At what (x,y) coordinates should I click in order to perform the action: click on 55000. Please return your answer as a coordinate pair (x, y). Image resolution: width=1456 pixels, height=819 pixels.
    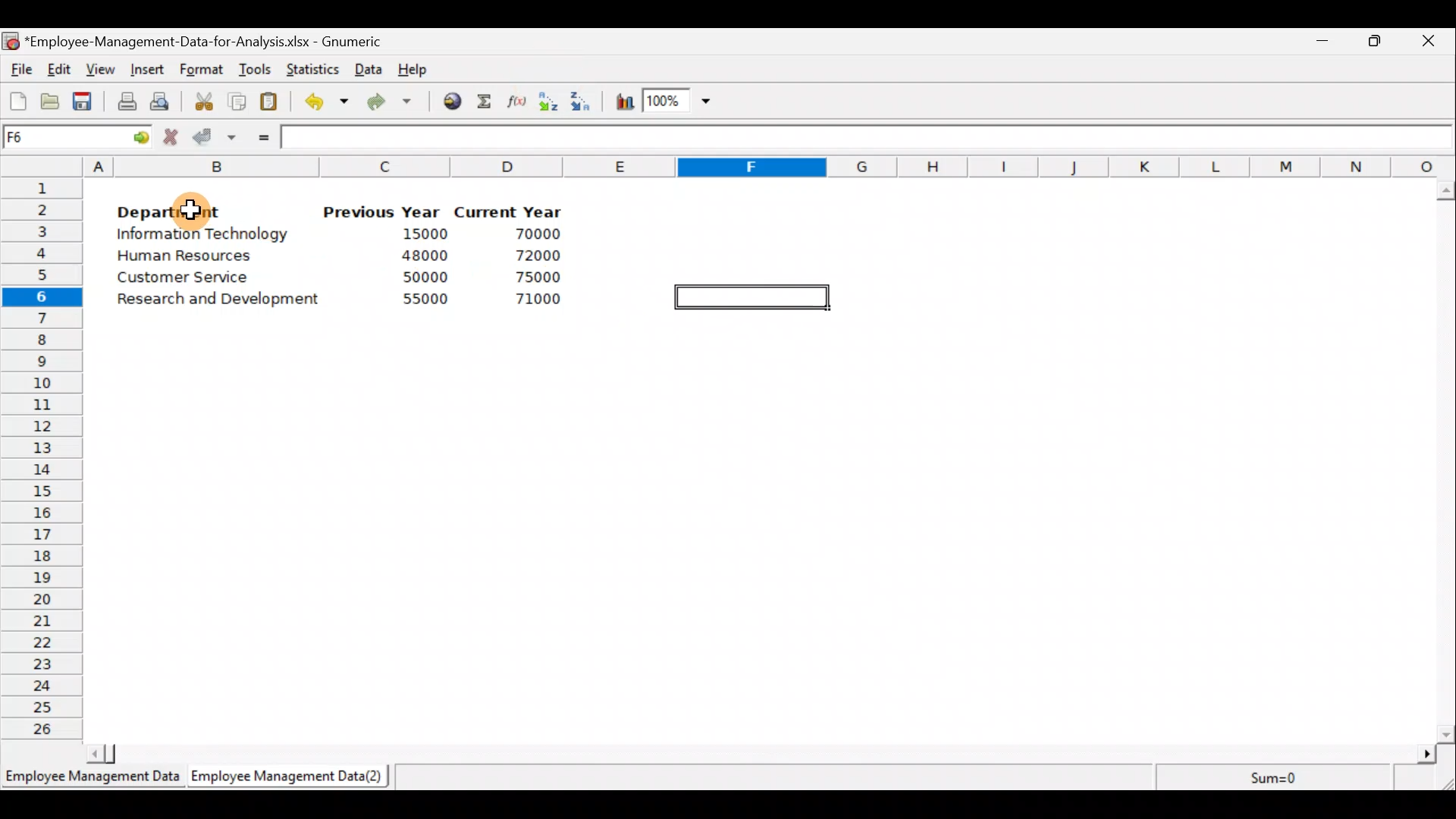
    Looking at the image, I should click on (426, 300).